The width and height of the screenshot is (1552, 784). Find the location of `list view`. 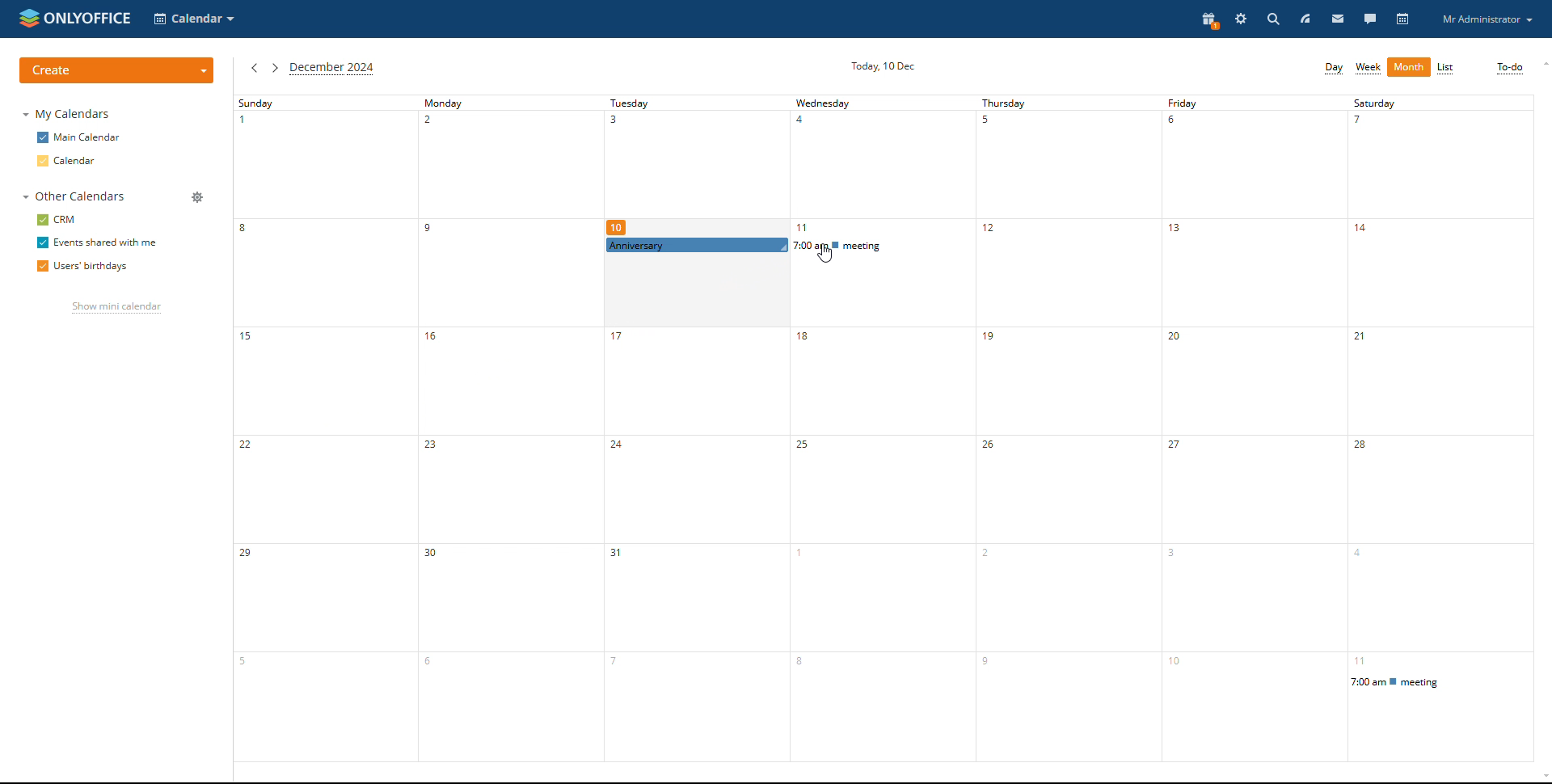

list view is located at coordinates (1445, 68).